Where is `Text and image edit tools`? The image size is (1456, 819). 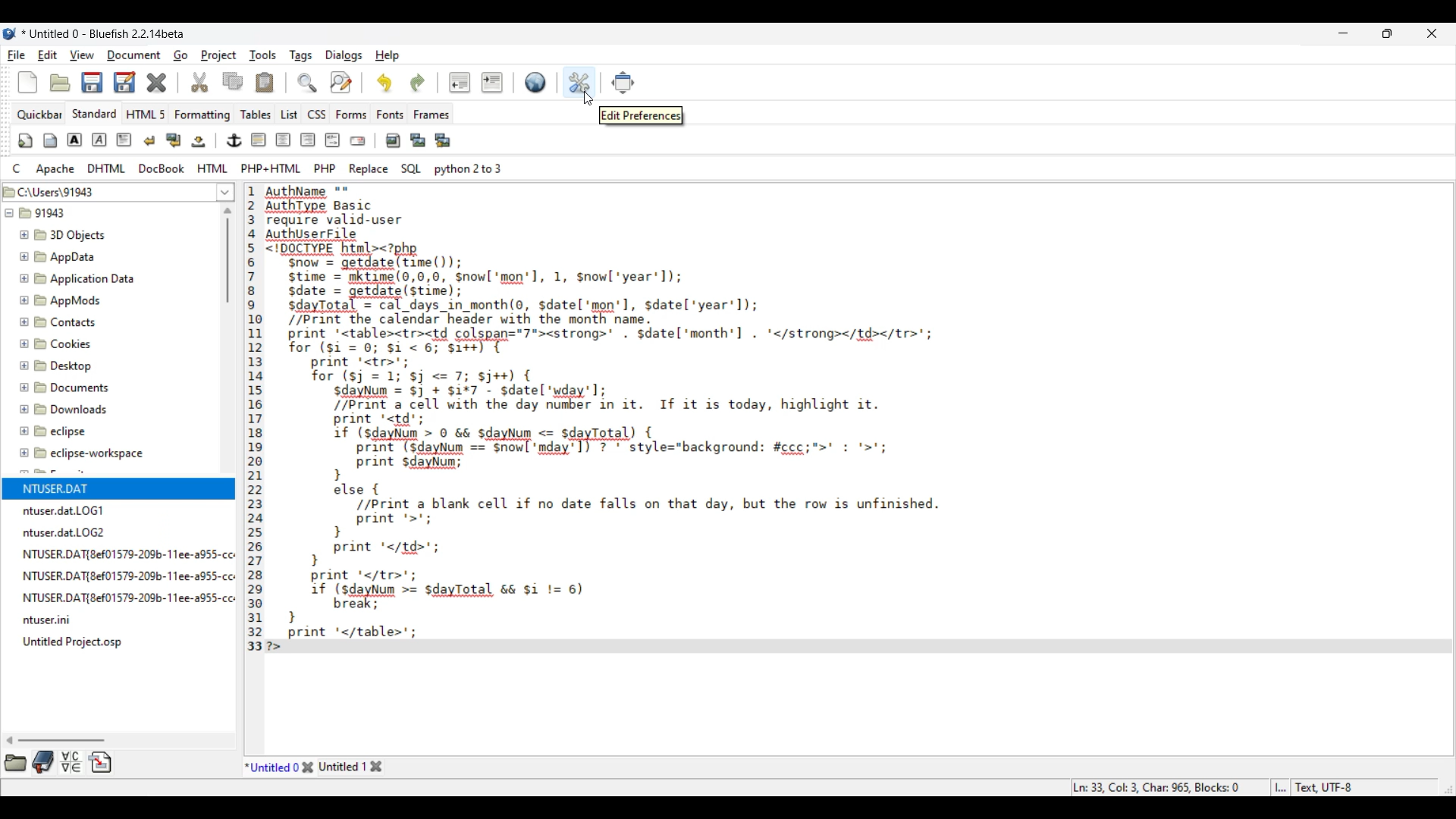 Text and image edit tools is located at coordinates (234, 141).